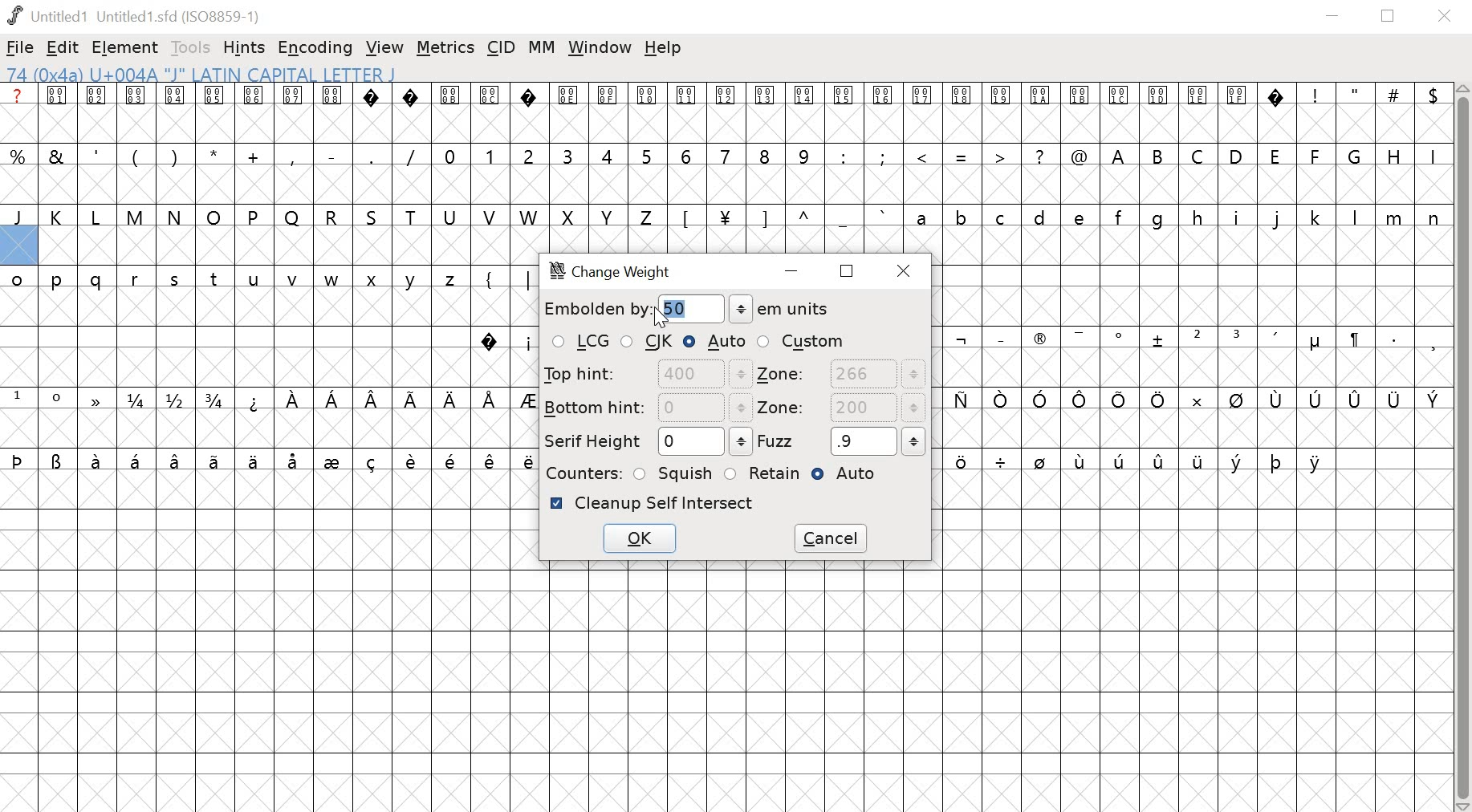 This screenshot has width=1472, height=812. Describe the element at coordinates (653, 503) in the screenshot. I see `CLEANUP self intersect` at that location.